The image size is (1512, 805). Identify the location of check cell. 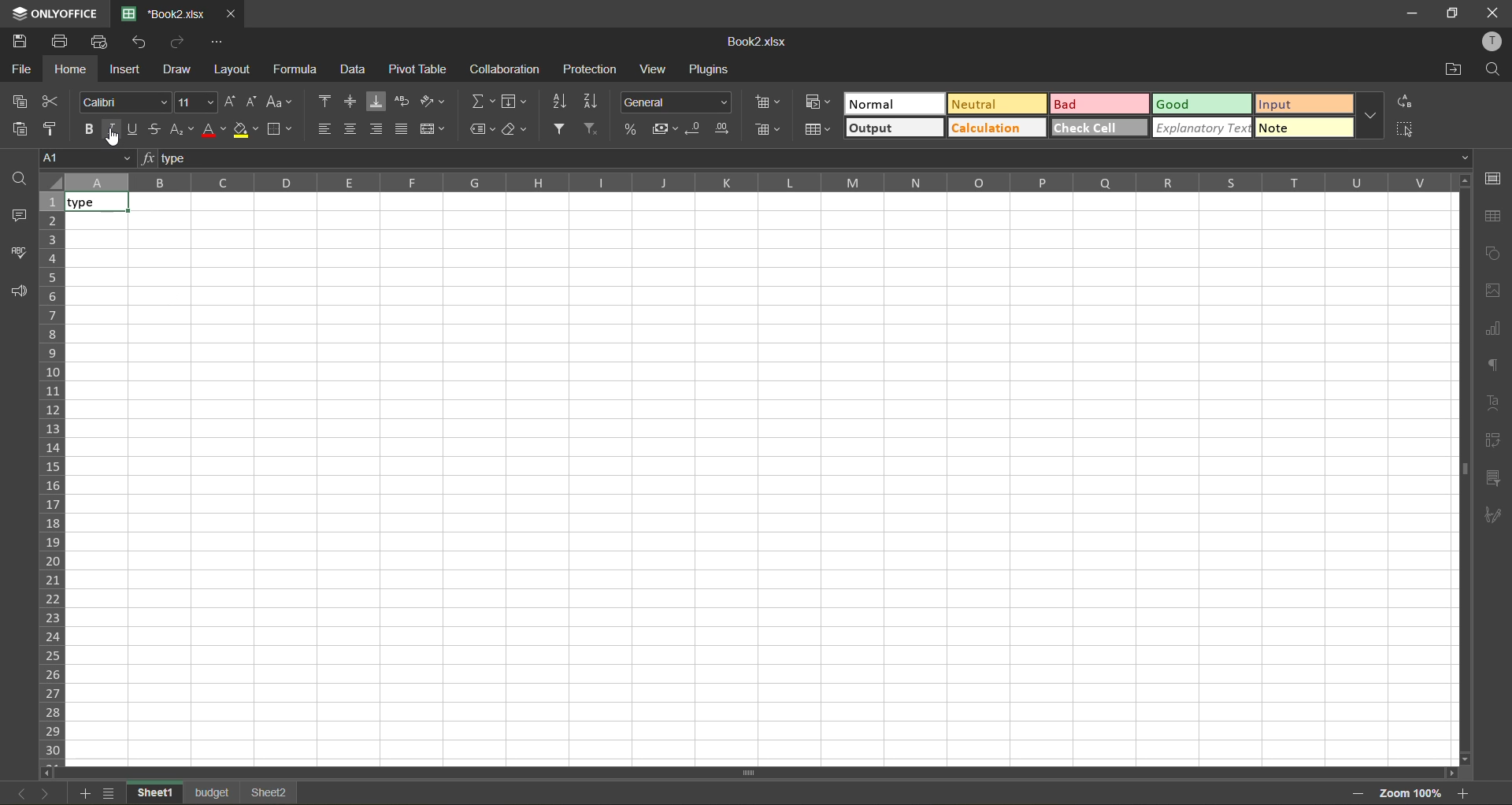
(1099, 127).